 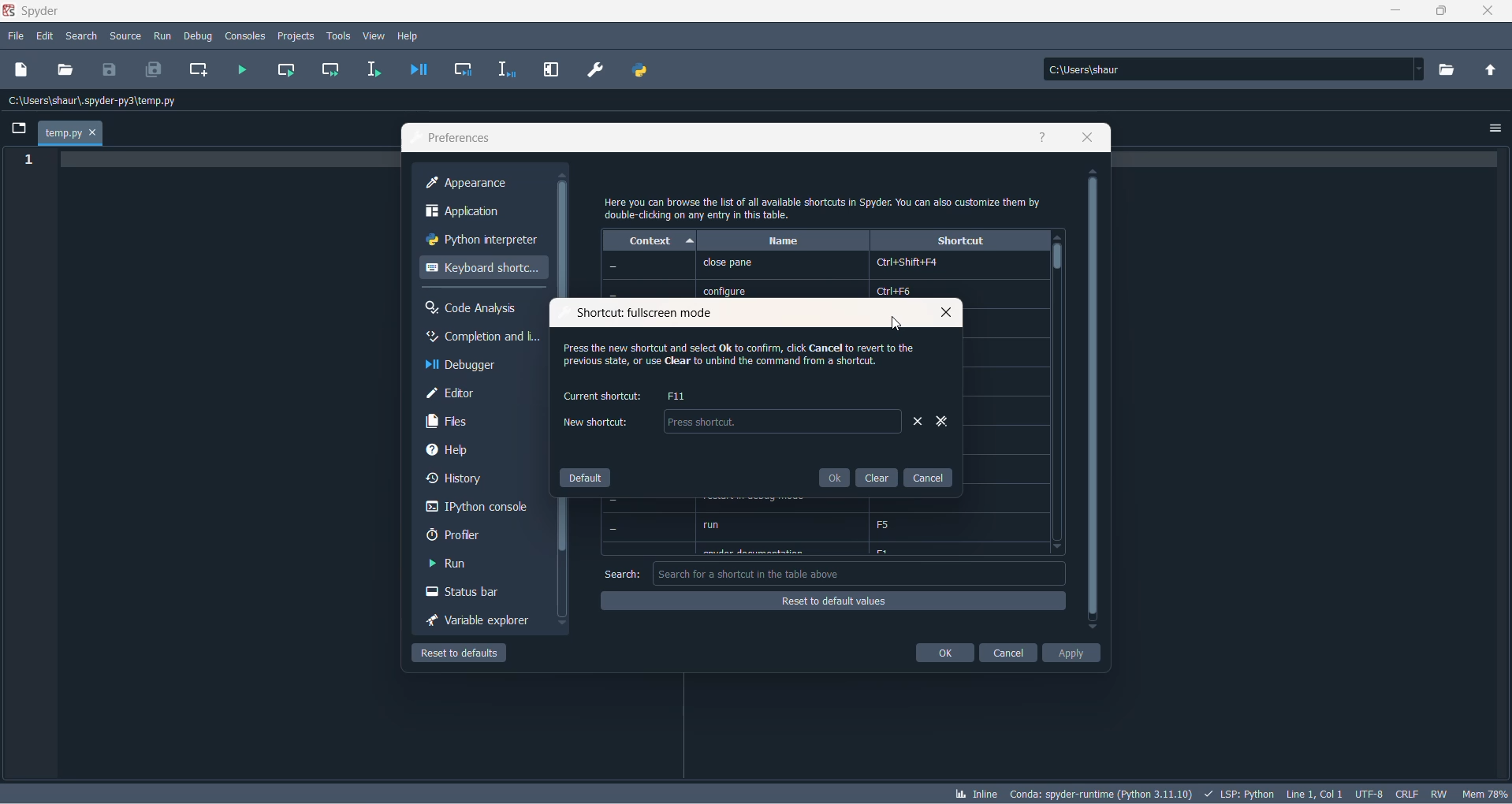 I want to click on create new cell, so click(x=196, y=70).